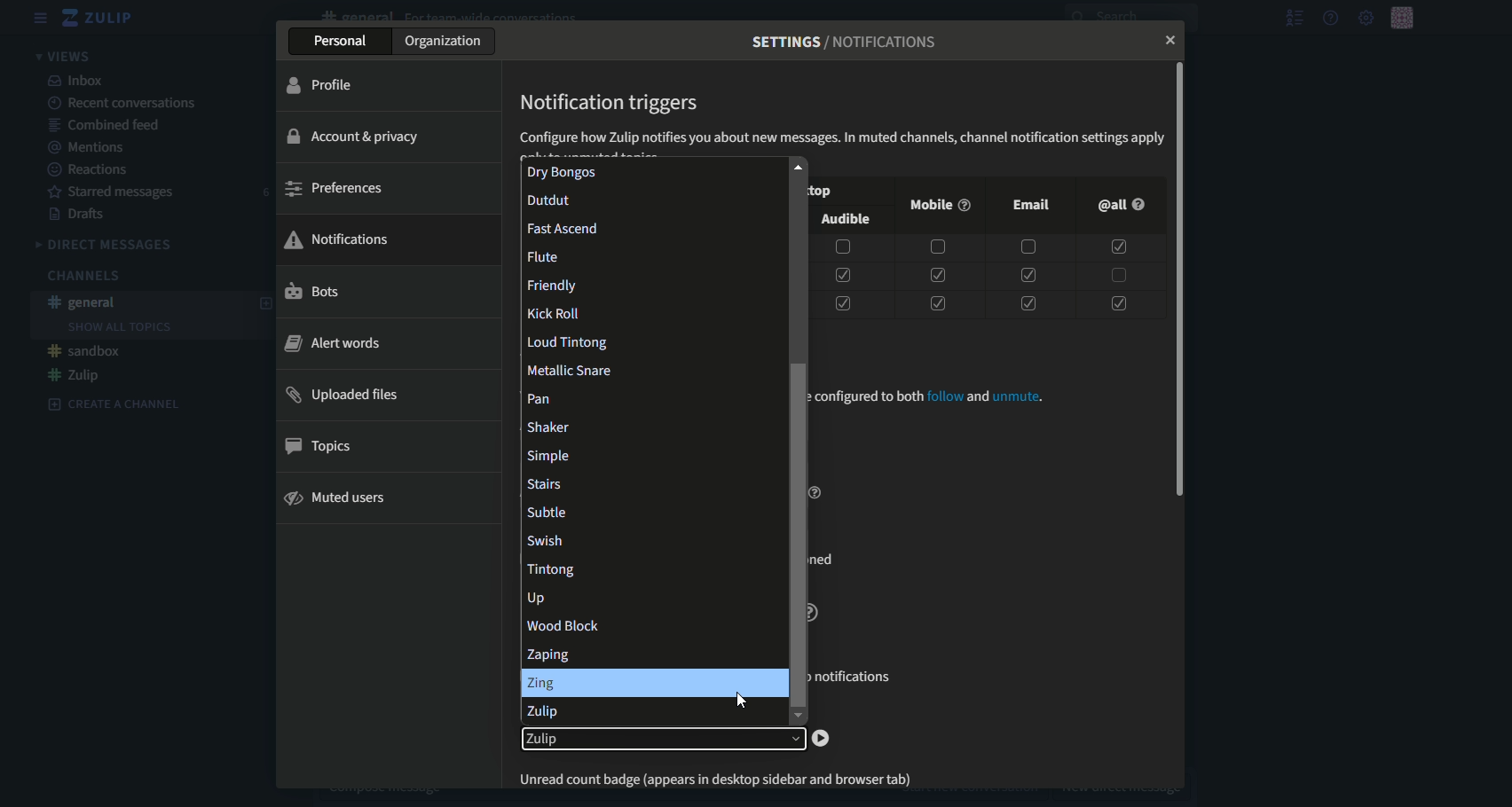 This screenshot has height=807, width=1512. What do you see at coordinates (650, 512) in the screenshot?
I see `subtle` at bounding box center [650, 512].